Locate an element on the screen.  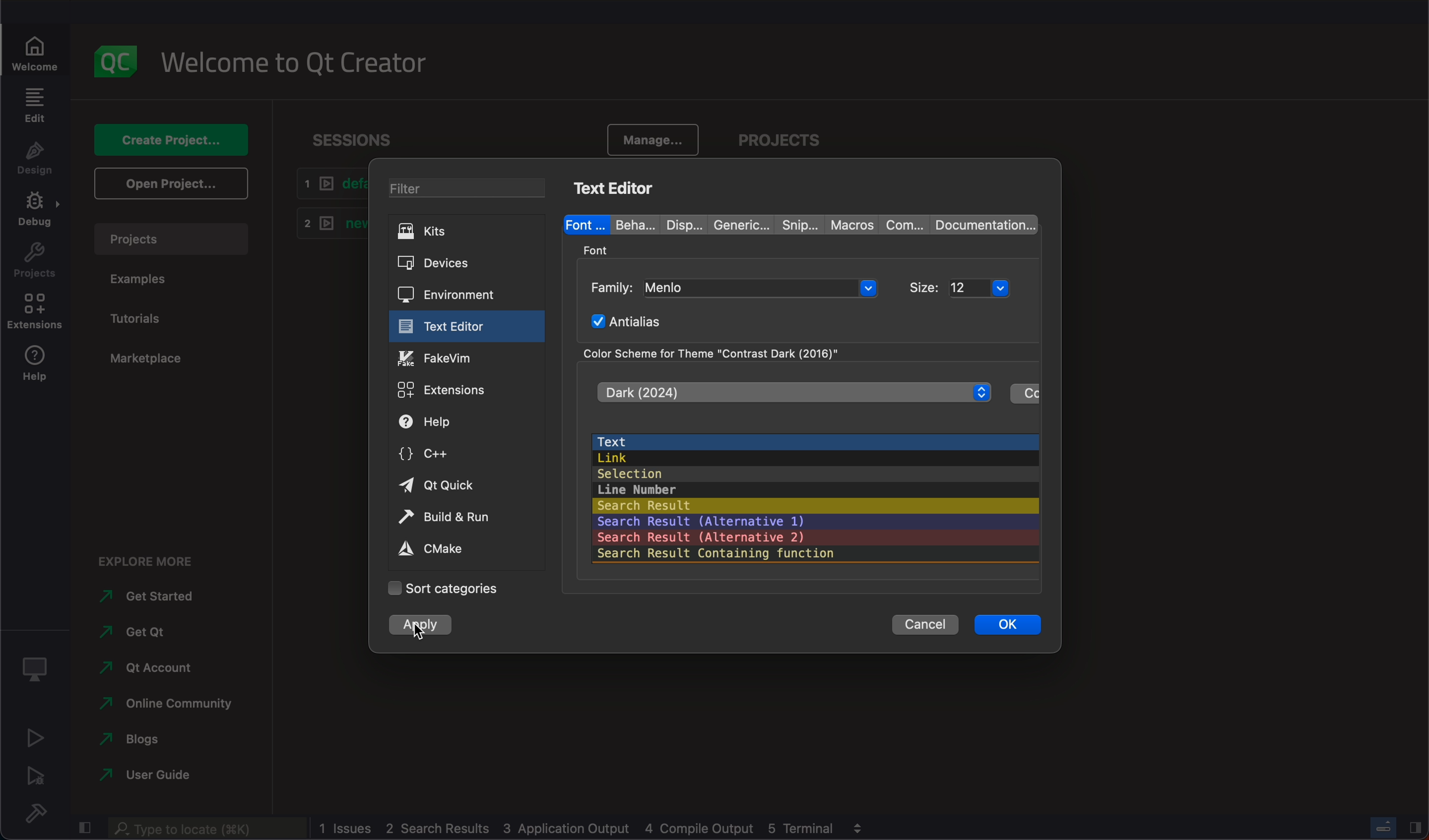
environment is located at coordinates (467, 293).